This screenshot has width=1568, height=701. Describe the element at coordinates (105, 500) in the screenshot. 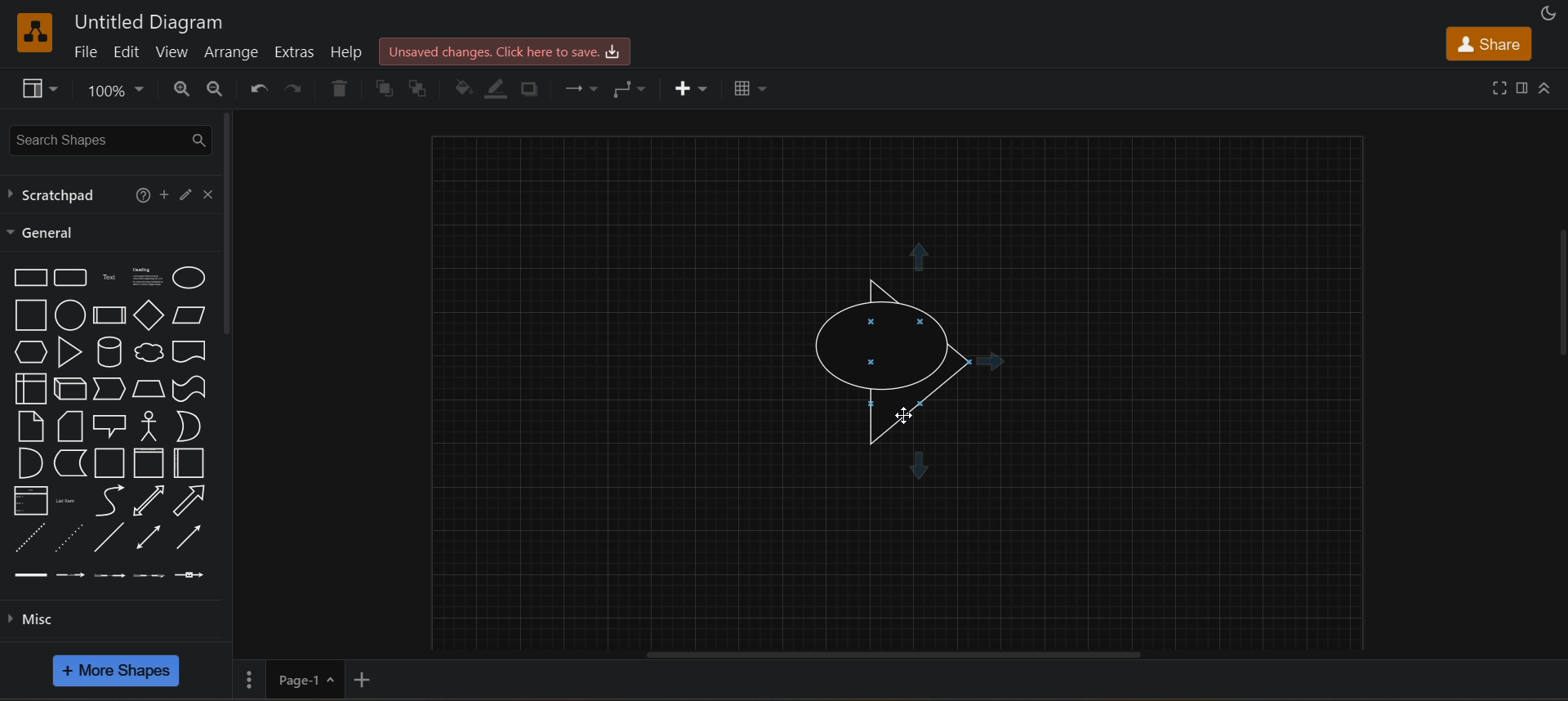

I see `curve` at that location.